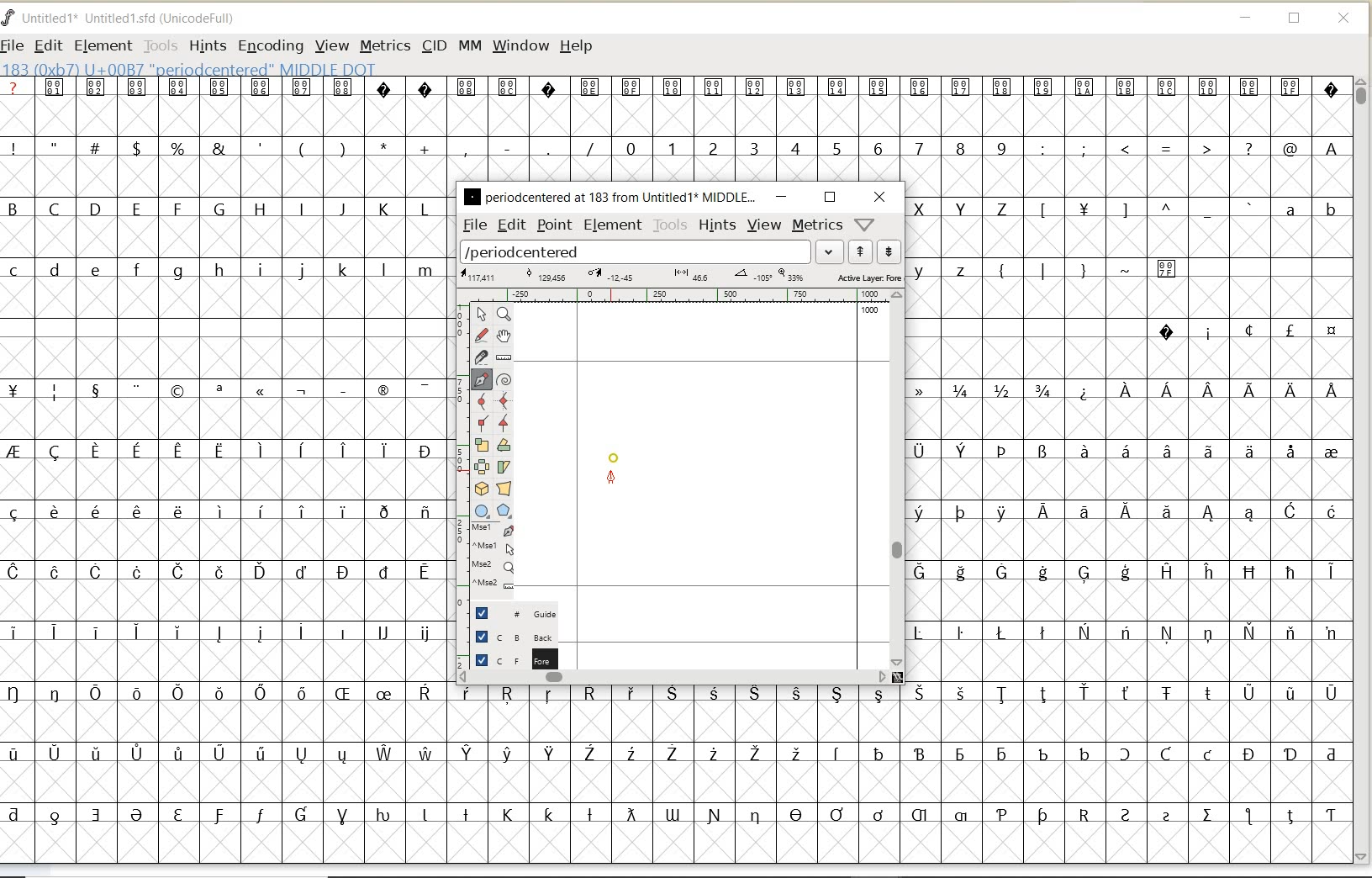 Image resolution: width=1372 pixels, height=878 pixels. Describe the element at coordinates (1295, 21) in the screenshot. I see `RESTORE` at that location.